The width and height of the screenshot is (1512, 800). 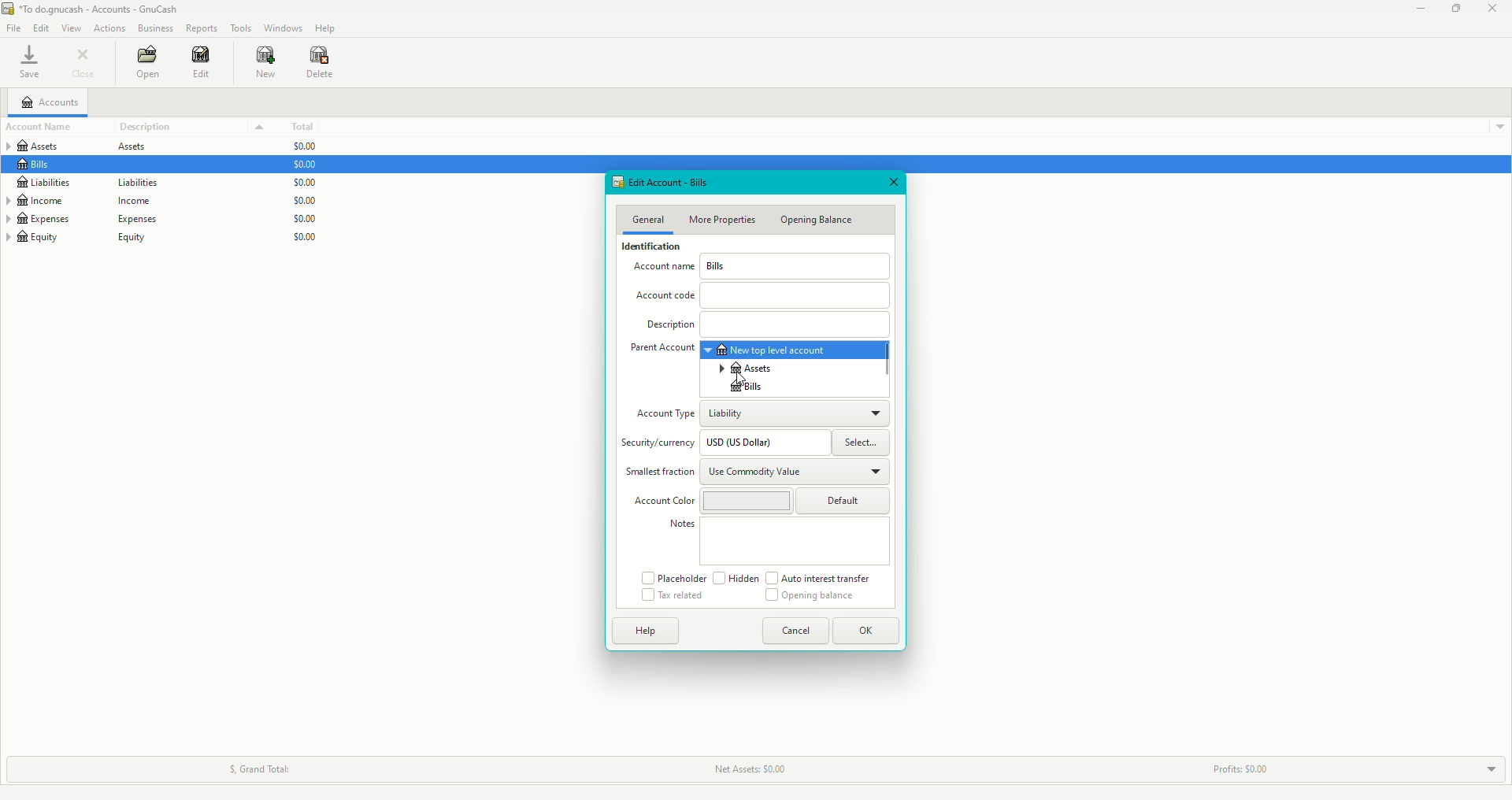 I want to click on View, so click(x=73, y=29).